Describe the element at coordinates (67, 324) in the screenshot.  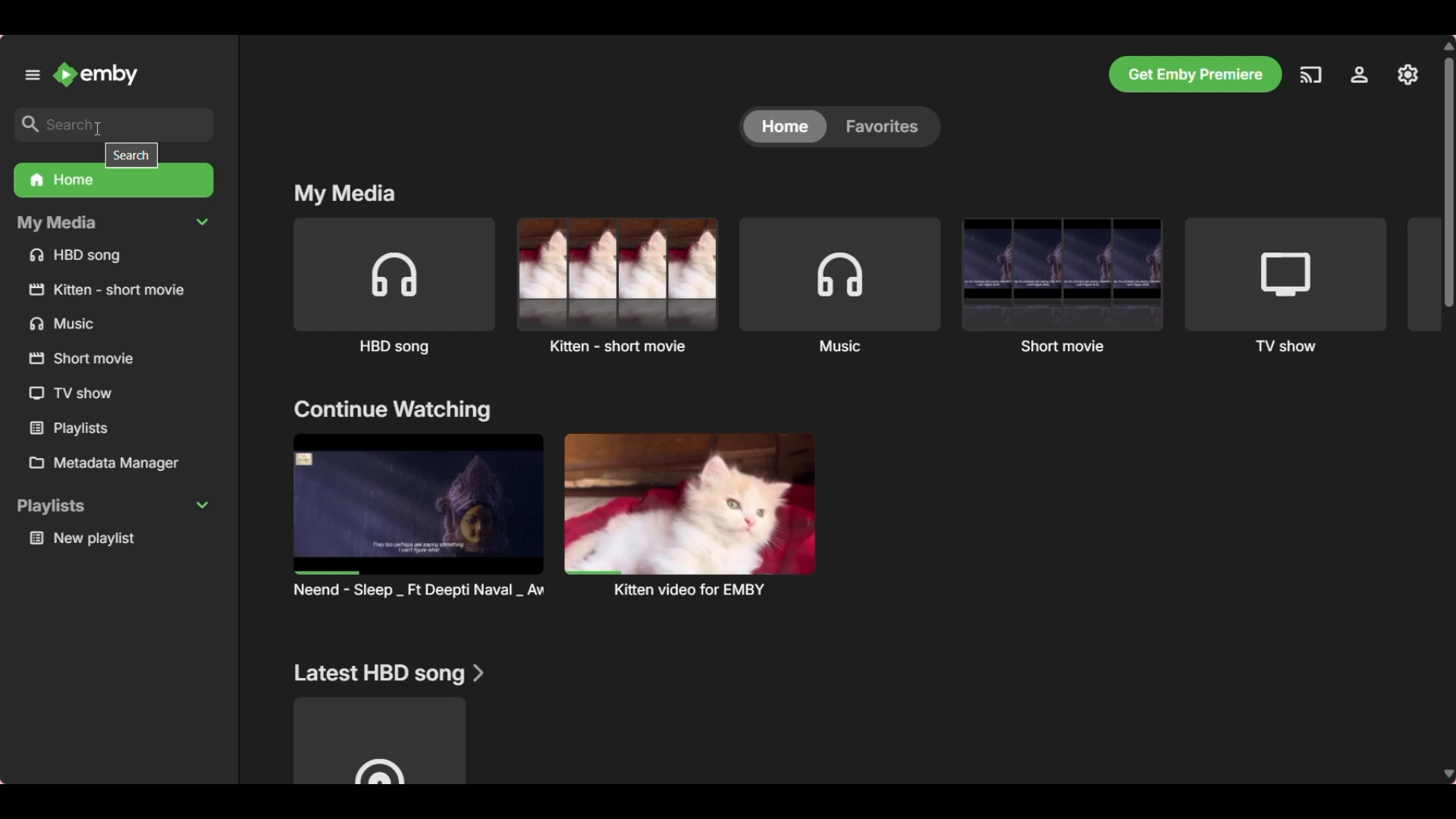
I see `` at that location.